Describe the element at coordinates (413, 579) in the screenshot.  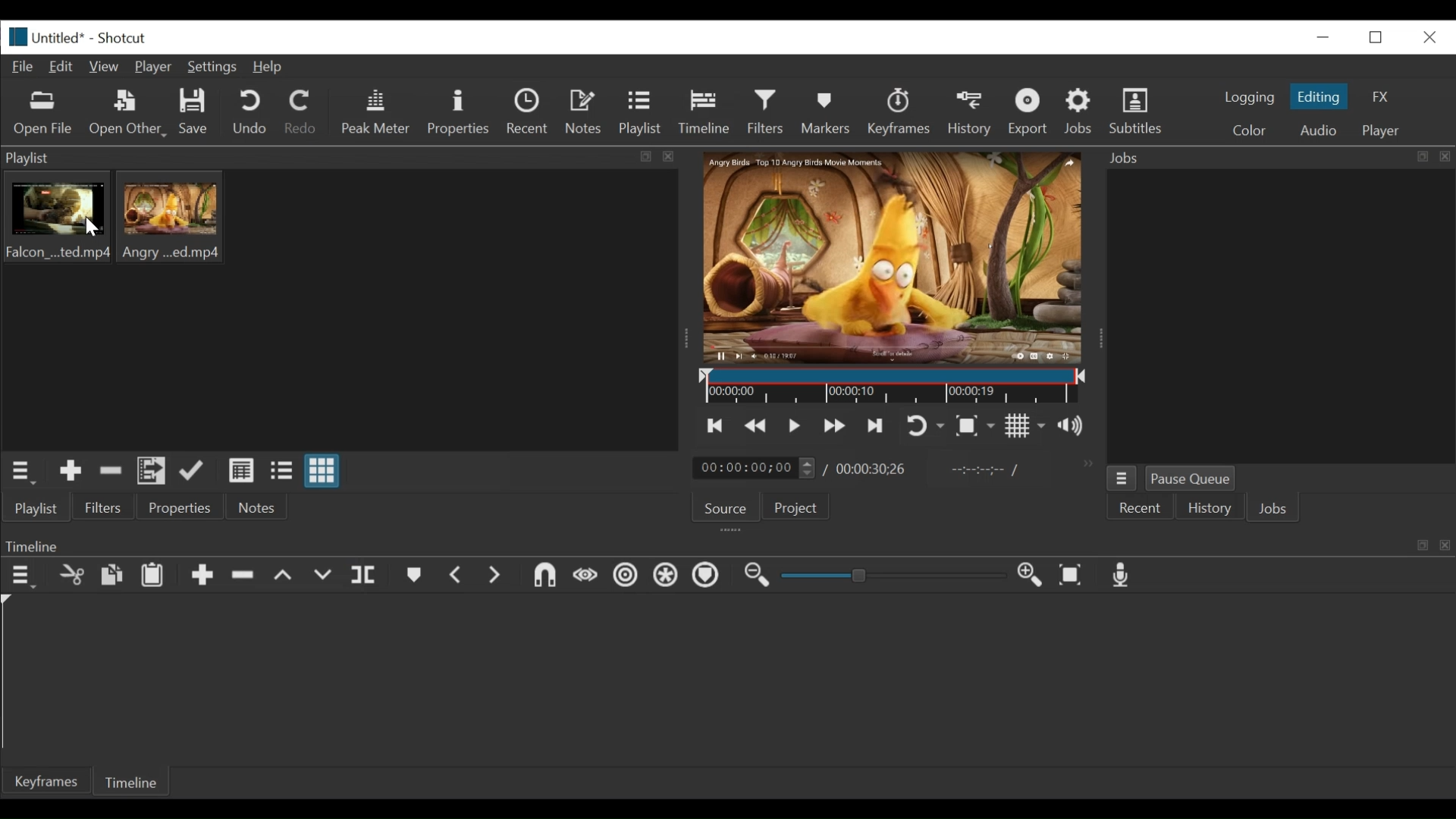
I see `markers` at that location.